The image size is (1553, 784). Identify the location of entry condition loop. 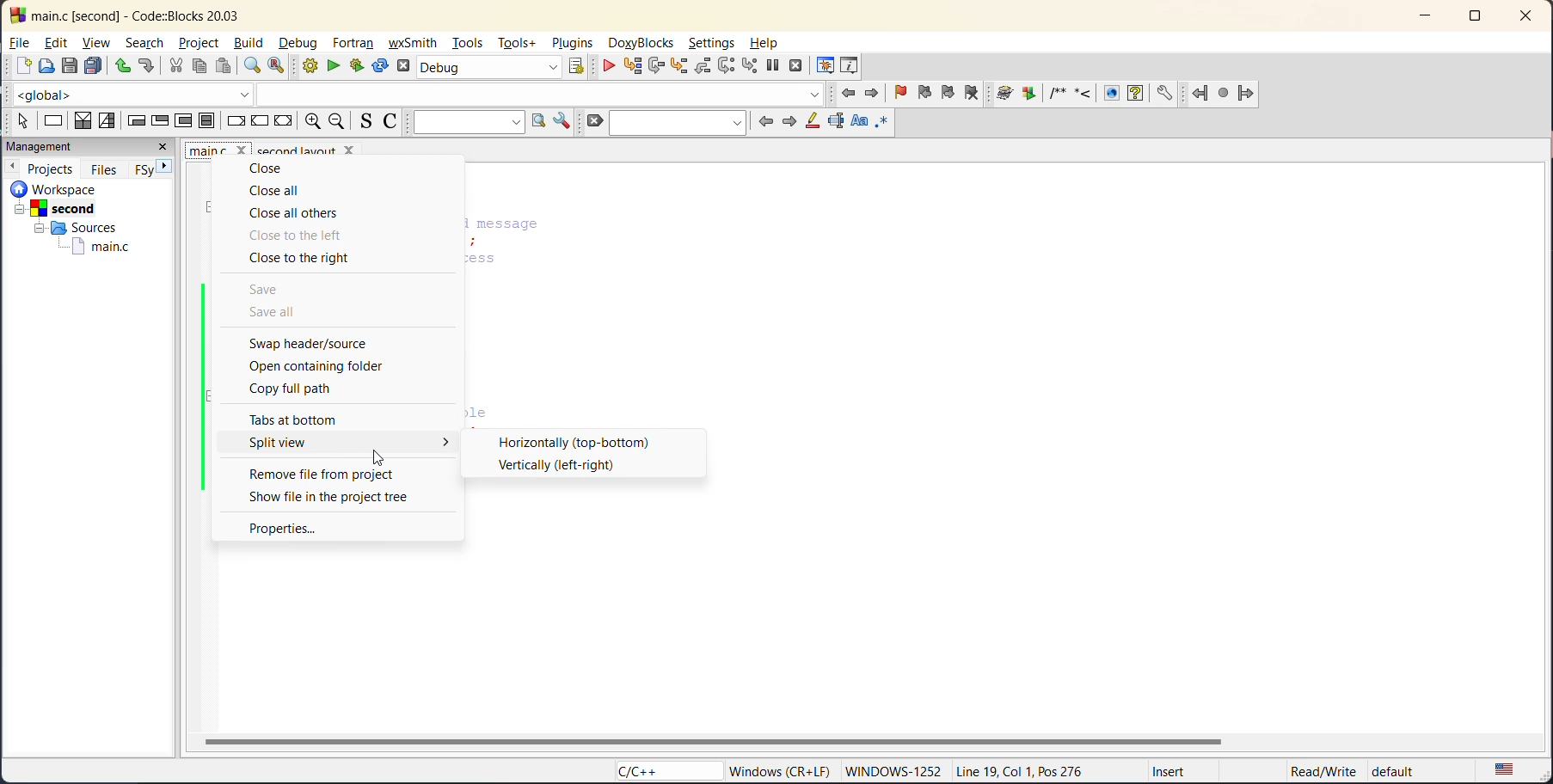
(137, 121).